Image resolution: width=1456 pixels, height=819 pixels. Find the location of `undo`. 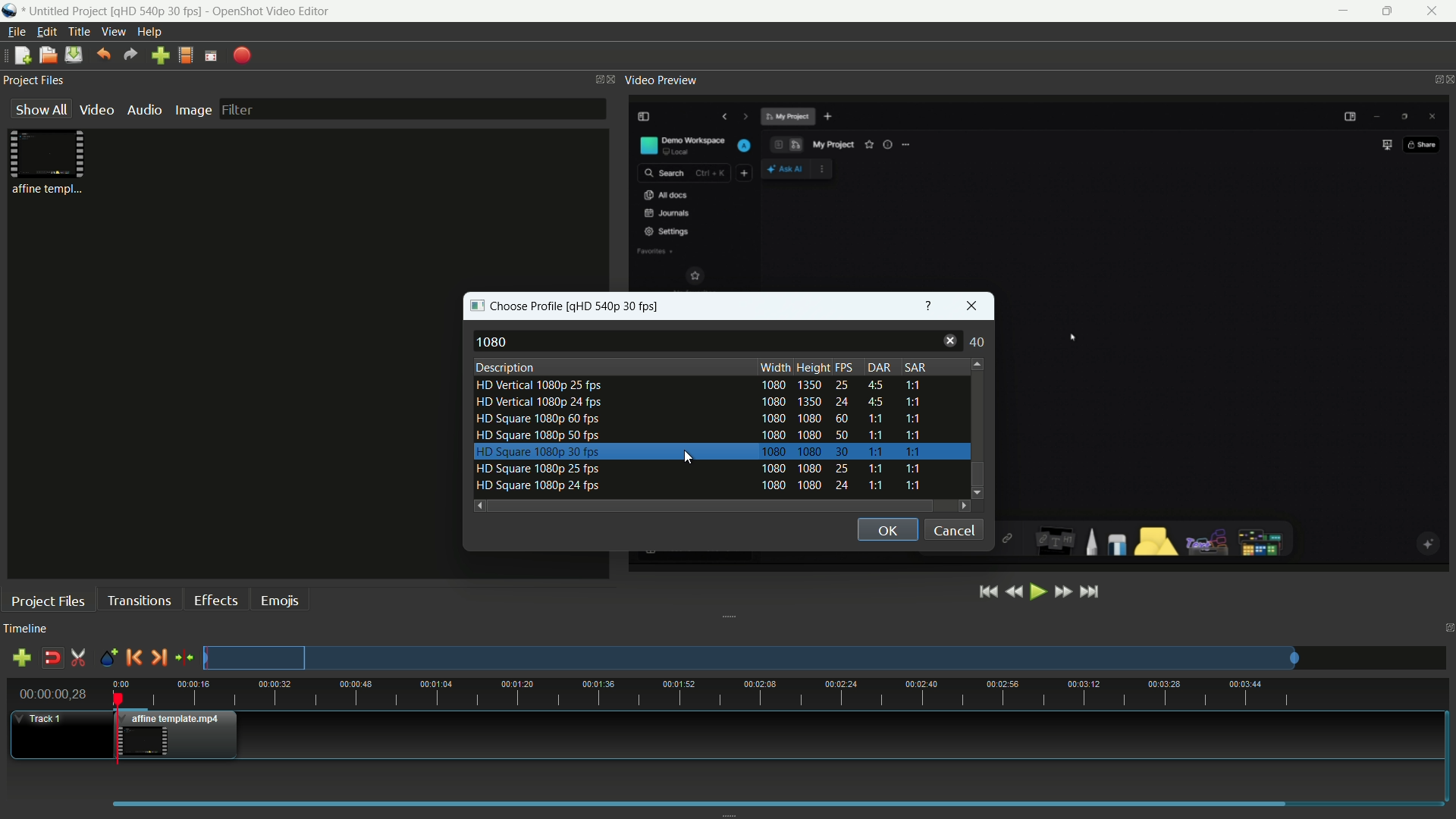

undo is located at coordinates (102, 55).